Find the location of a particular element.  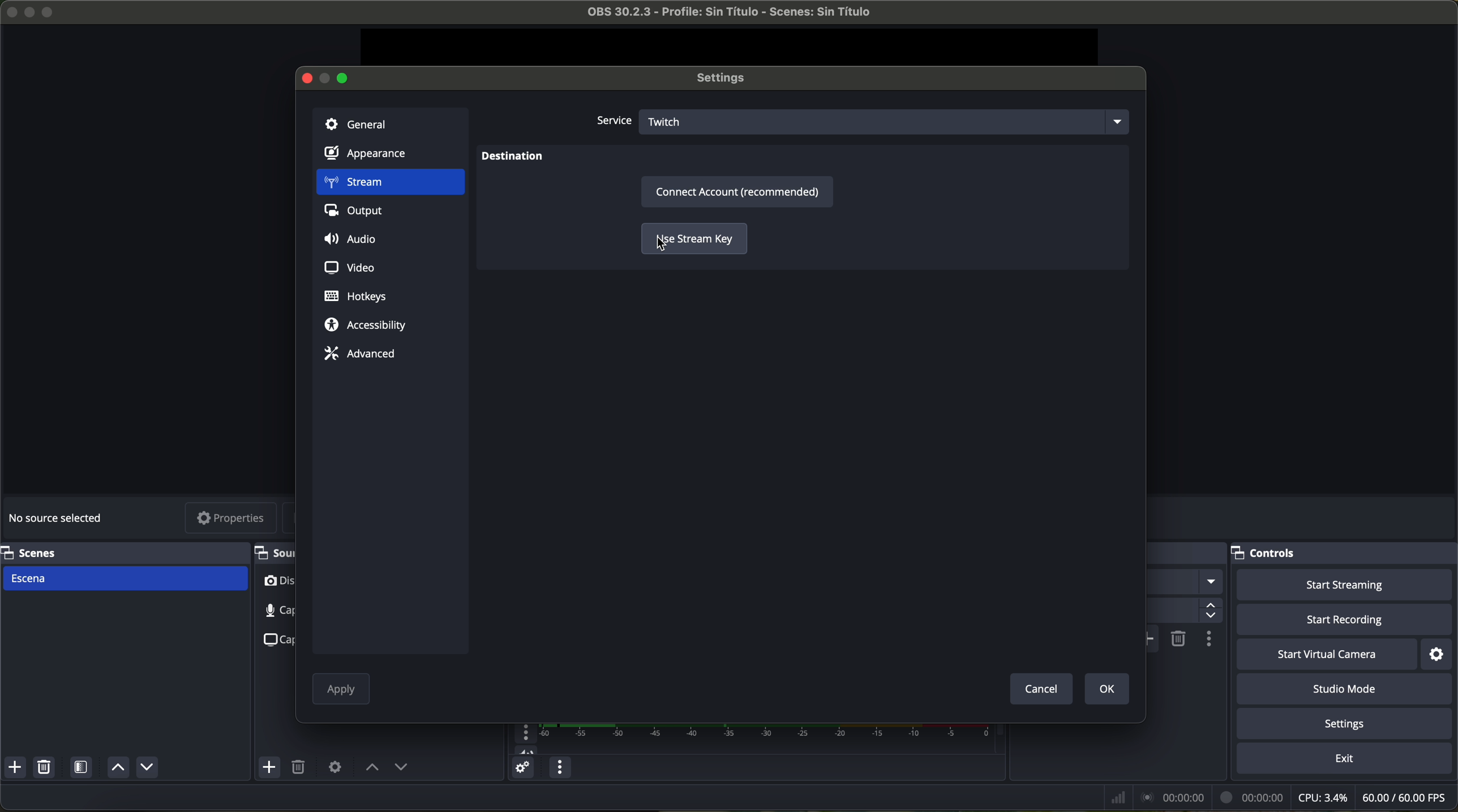

no source selected is located at coordinates (59, 516).